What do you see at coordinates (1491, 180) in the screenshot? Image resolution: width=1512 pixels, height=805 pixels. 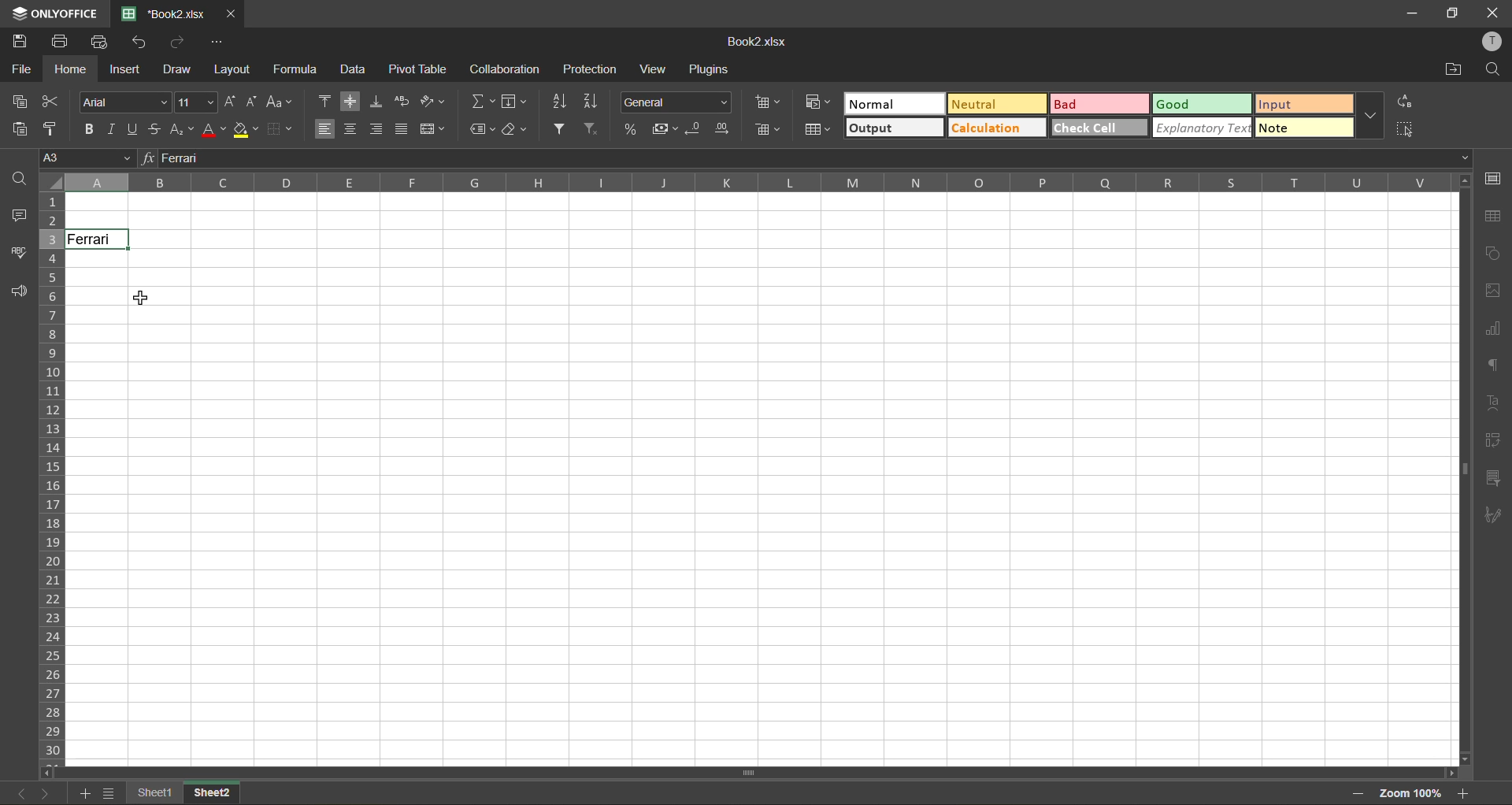 I see `cell settings` at bounding box center [1491, 180].